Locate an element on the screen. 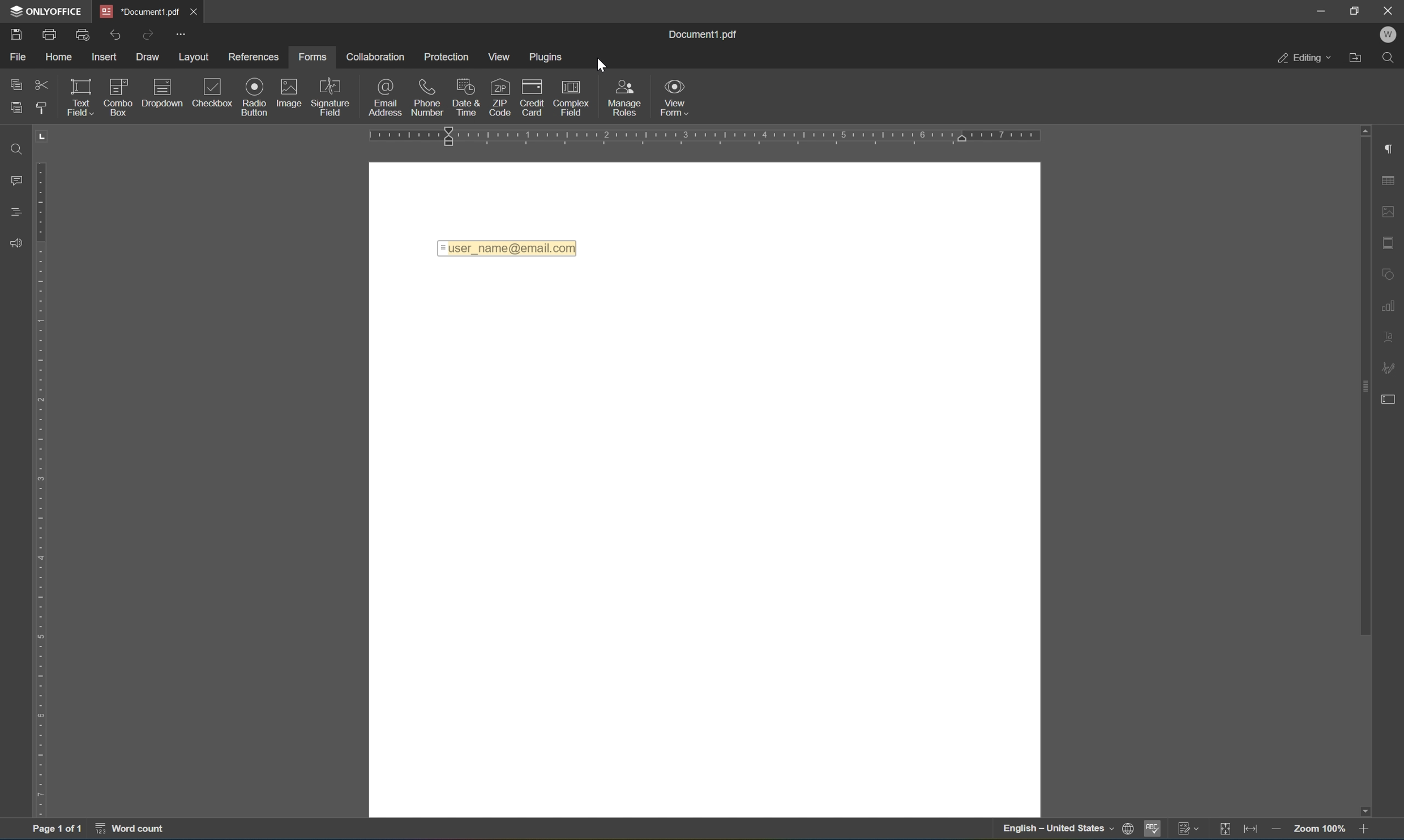 This screenshot has width=1404, height=840. form settings is located at coordinates (1393, 408).